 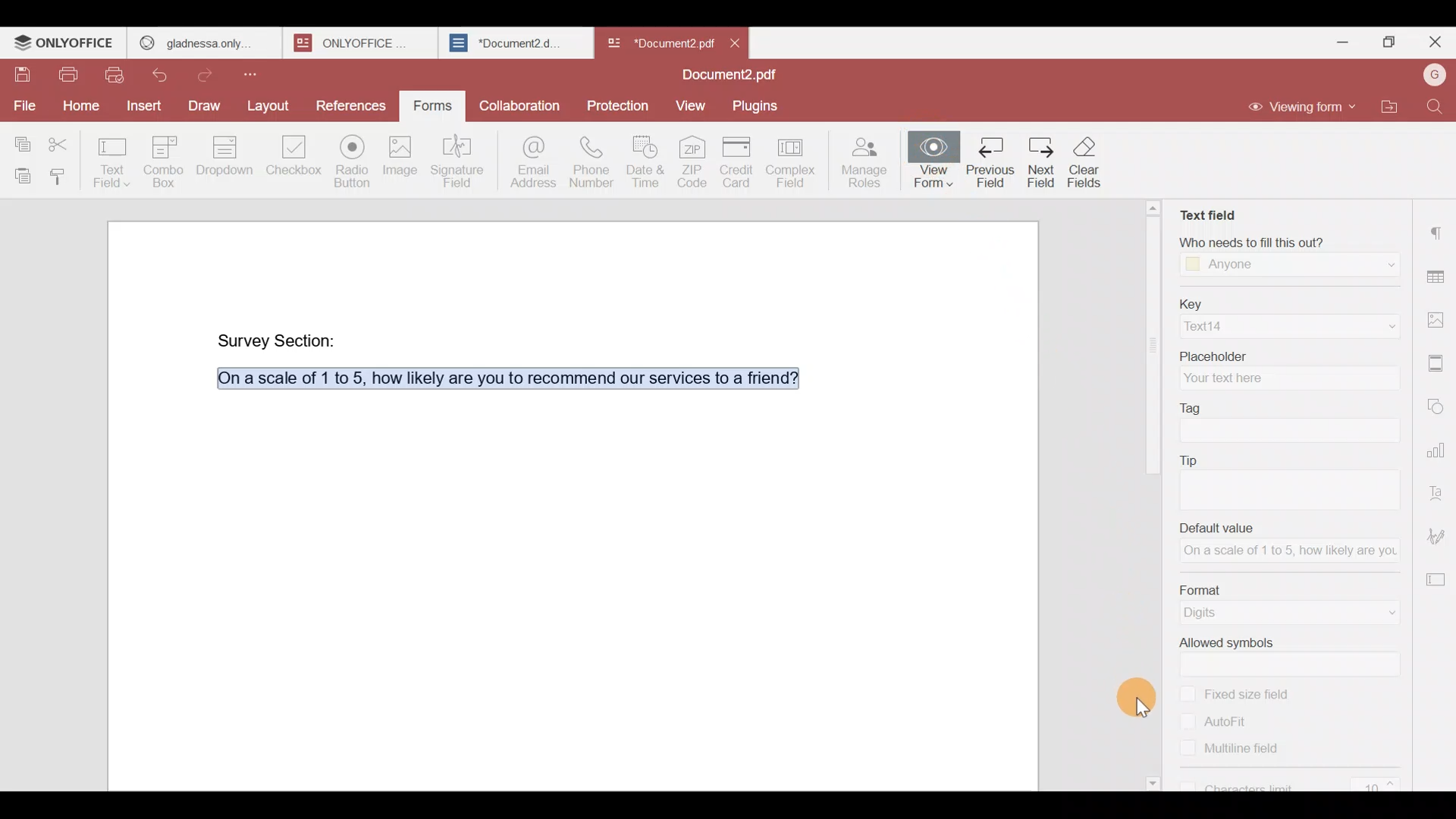 I want to click on Placeholder, so click(x=1288, y=352).